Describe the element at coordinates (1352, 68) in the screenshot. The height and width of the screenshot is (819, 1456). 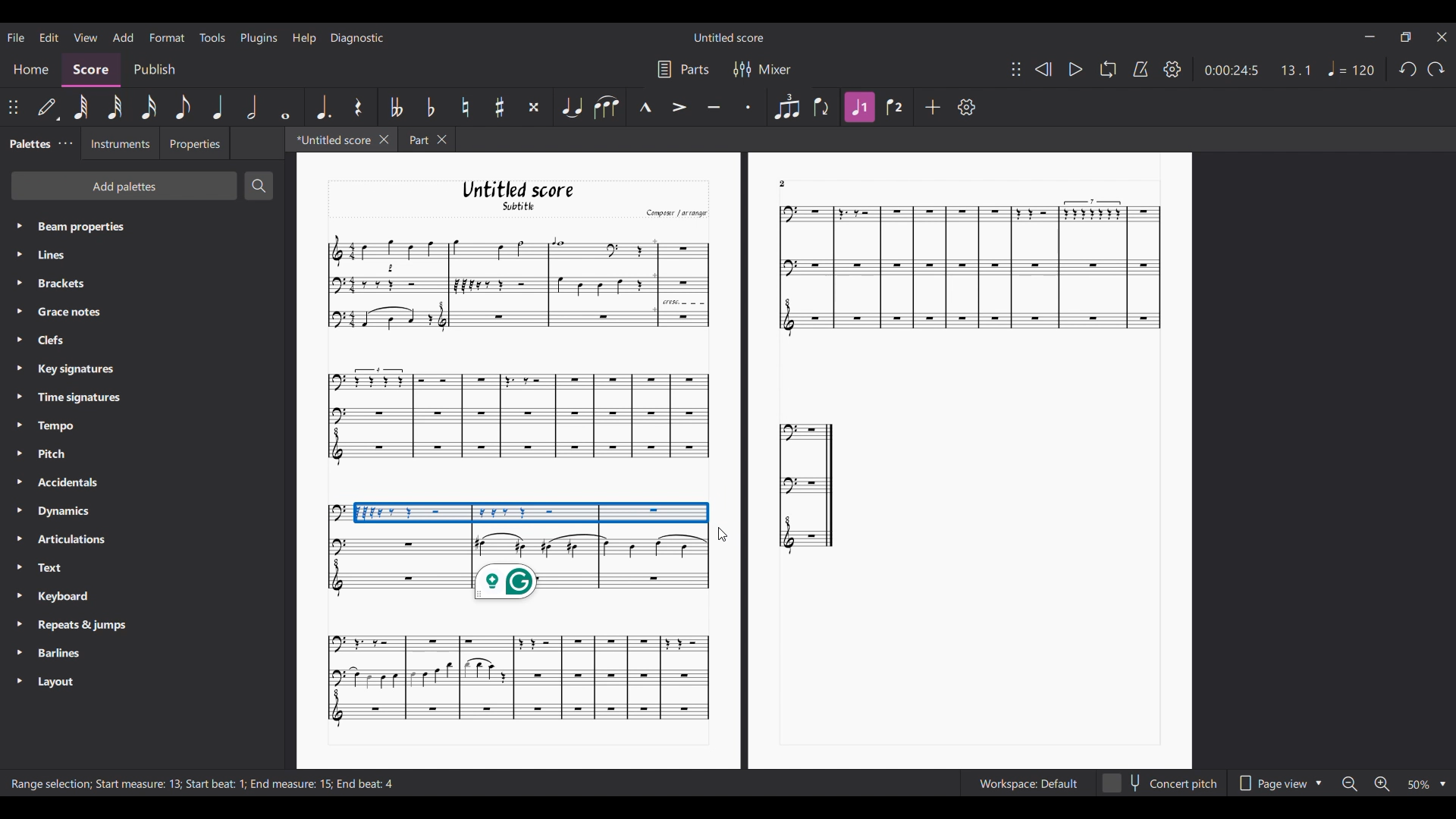
I see `Tempo` at that location.